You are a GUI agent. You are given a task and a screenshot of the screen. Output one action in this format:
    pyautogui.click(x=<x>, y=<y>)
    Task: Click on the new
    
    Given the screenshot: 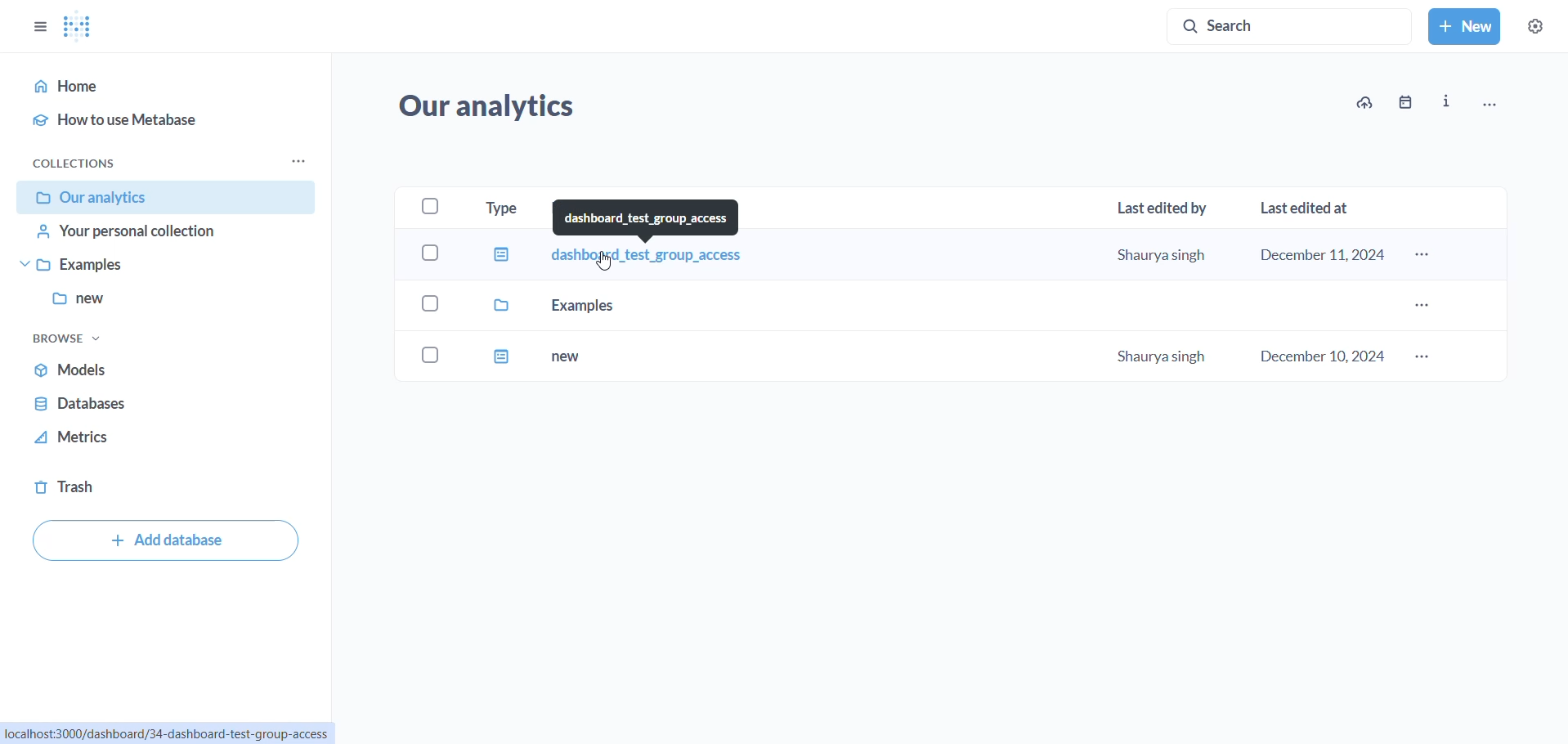 What is the action you would take?
    pyautogui.click(x=159, y=306)
    